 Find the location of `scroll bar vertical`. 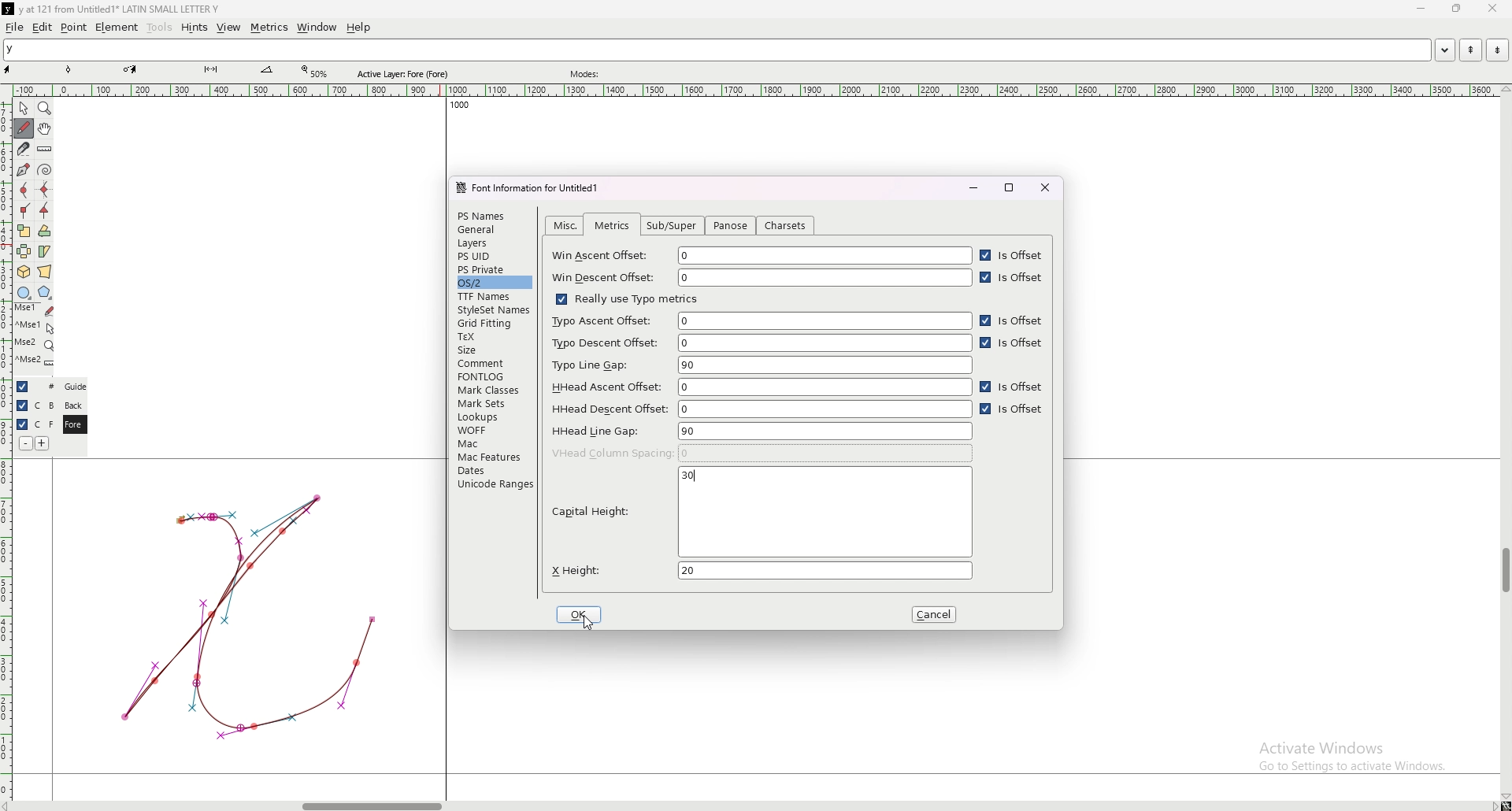

scroll bar vertical is located at coordinates (1505, 571).